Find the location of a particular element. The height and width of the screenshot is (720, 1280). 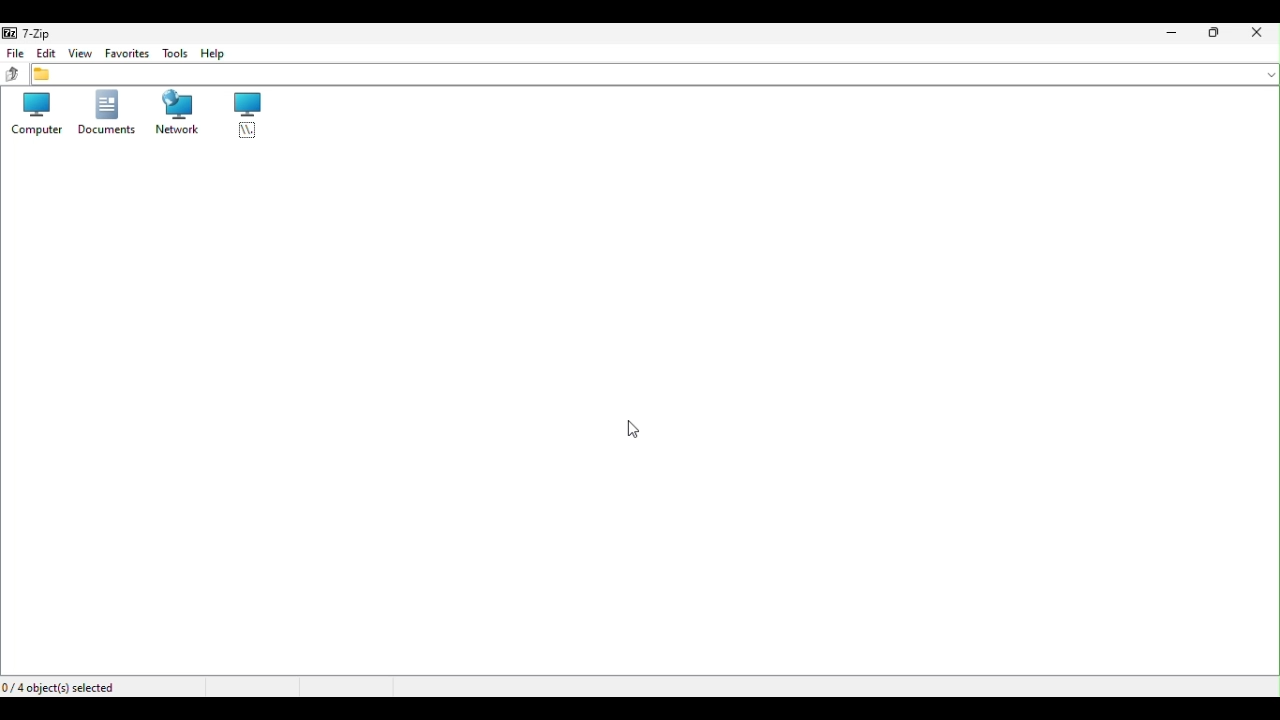

Close is located at coordinates (1259, 34).